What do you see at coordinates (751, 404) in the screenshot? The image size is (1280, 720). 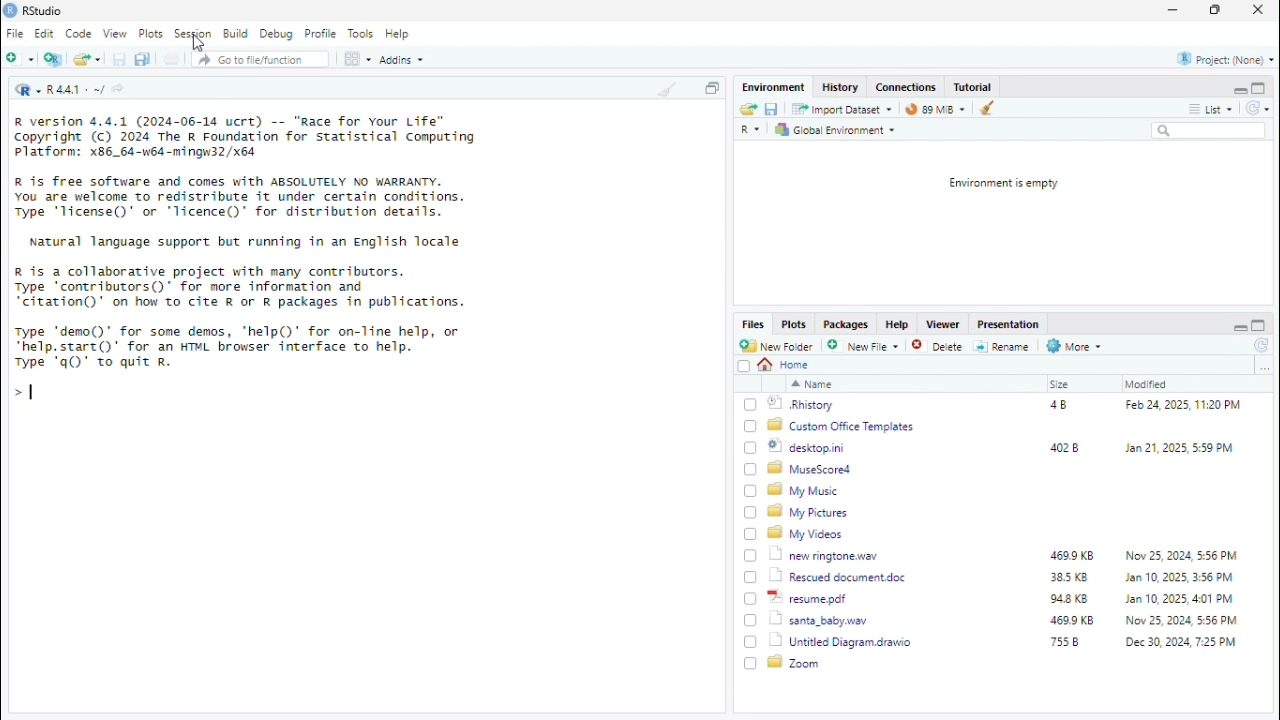 I see `Checkbox` at bounding box center [751, 404].